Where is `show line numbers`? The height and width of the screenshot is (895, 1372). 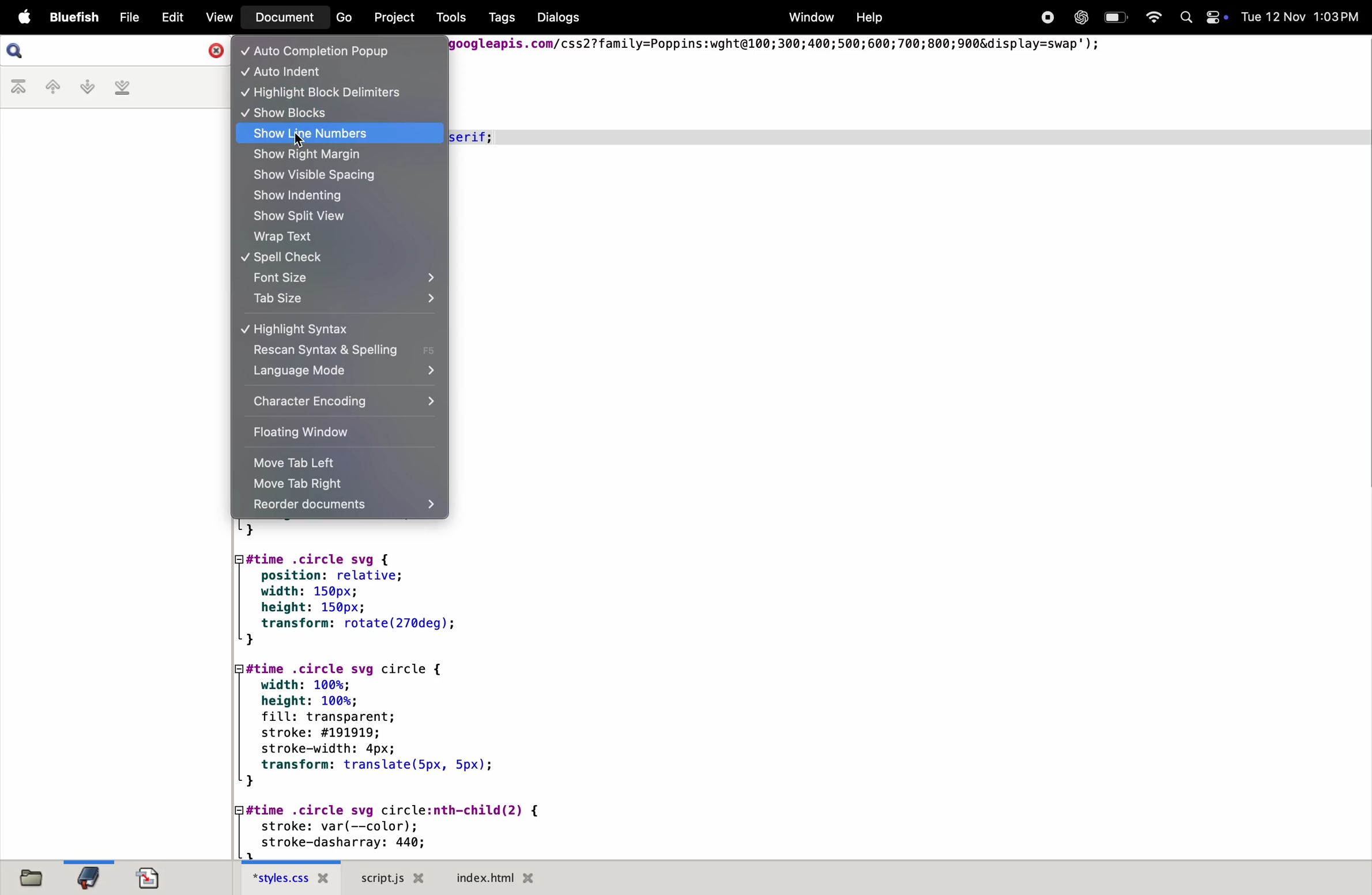
show line numbers is located at coordinates (342, 133).